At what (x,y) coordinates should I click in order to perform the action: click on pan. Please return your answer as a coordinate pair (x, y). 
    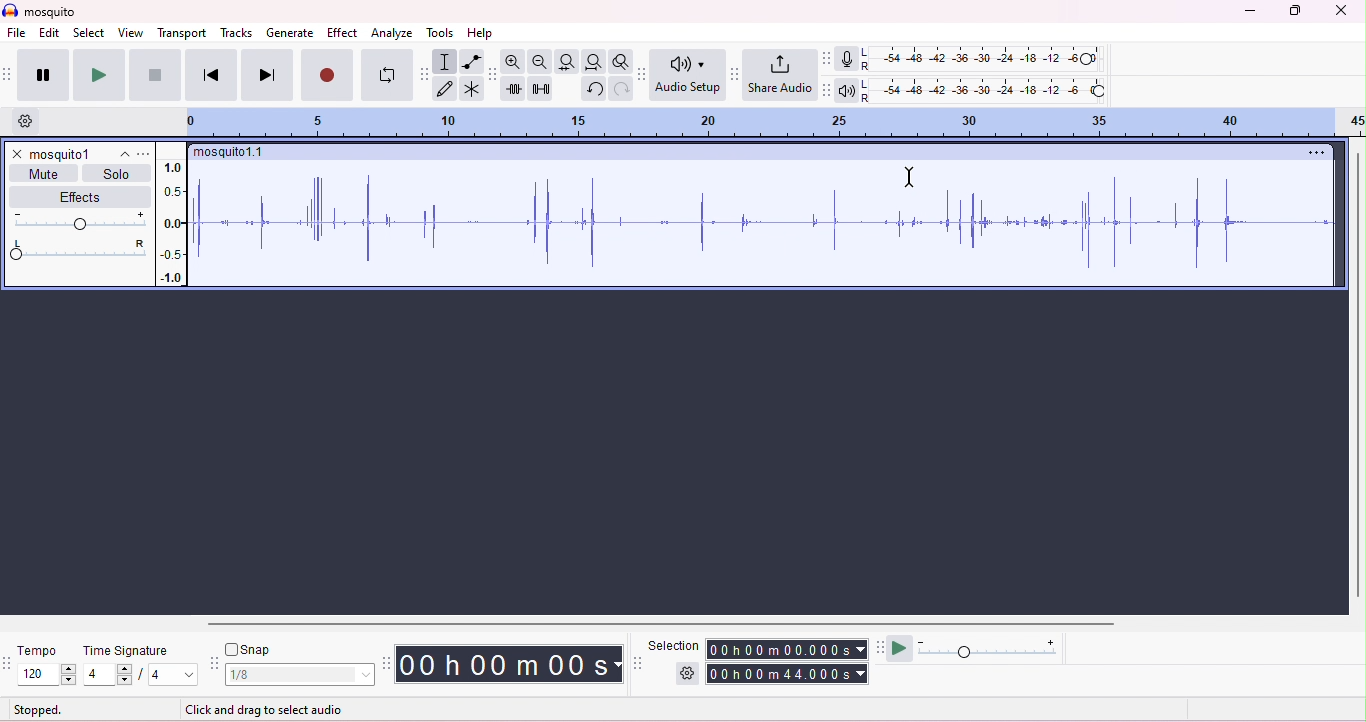
    Looking at the image, I should click on (77, 250).